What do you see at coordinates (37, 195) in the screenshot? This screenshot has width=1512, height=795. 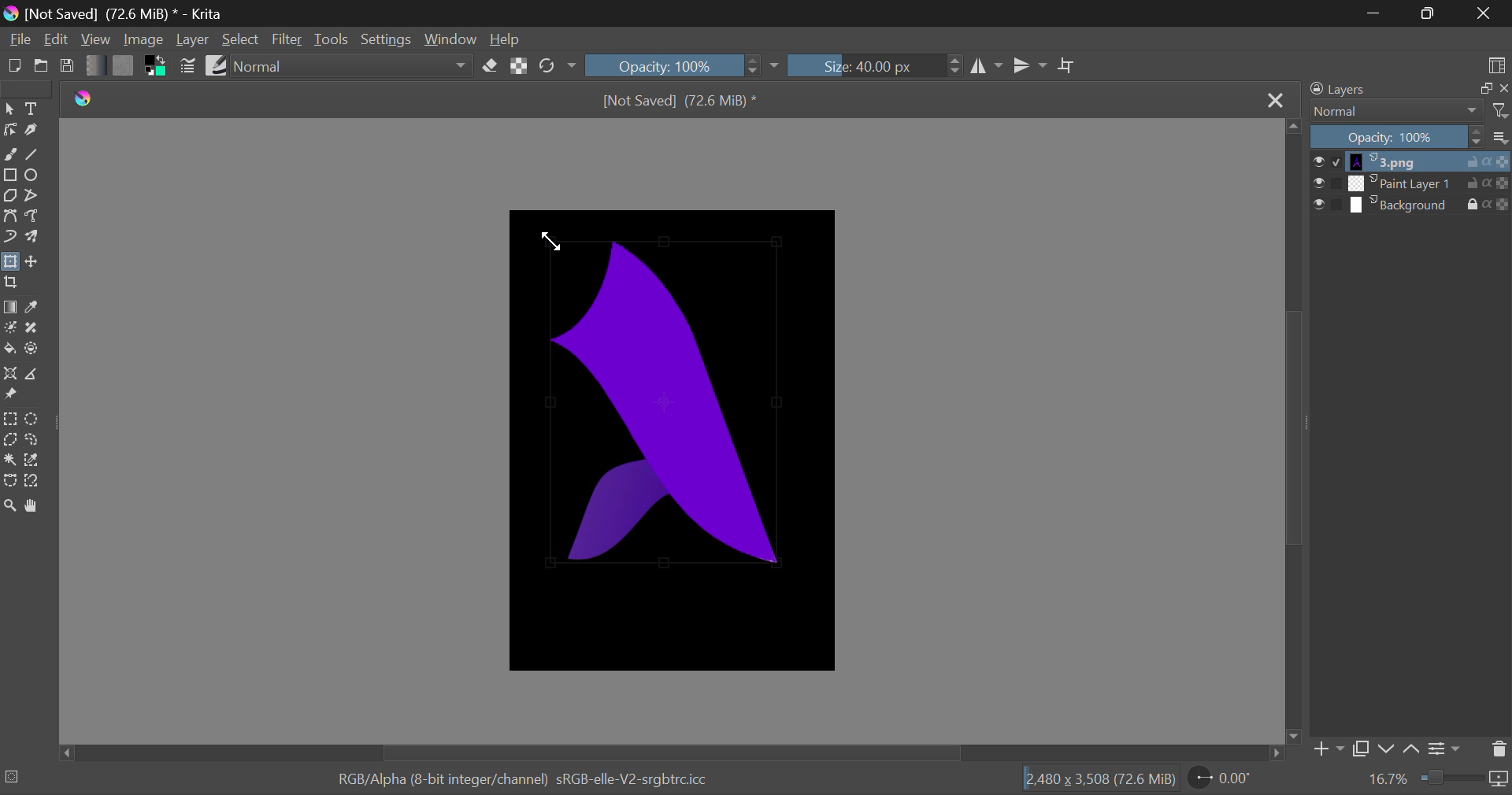 I see `Polyline` at bounding box center [37, 195].